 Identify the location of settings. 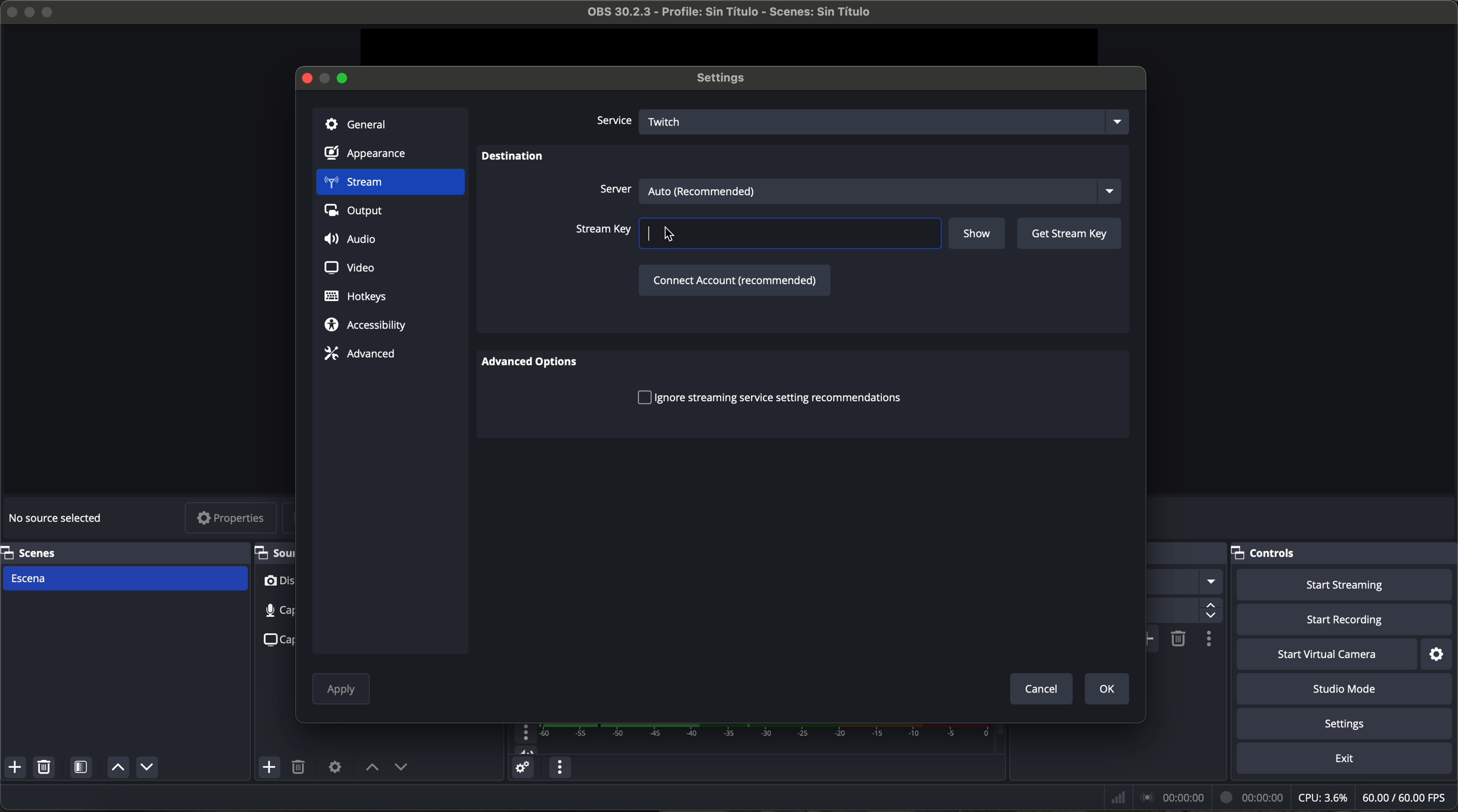
(726, 79).